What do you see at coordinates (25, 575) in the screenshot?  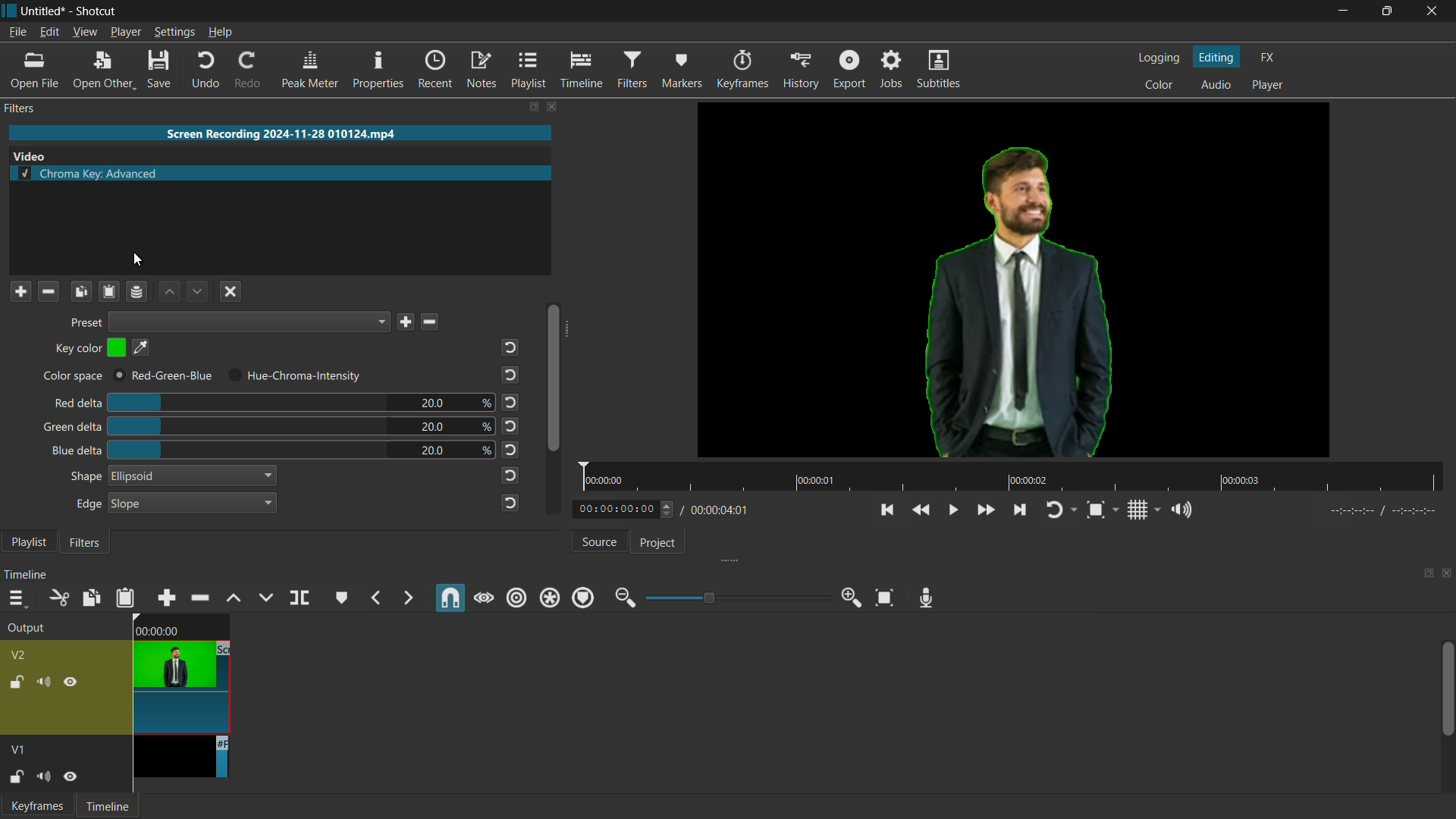 I see `timeline` at bounding box center [25, 575].